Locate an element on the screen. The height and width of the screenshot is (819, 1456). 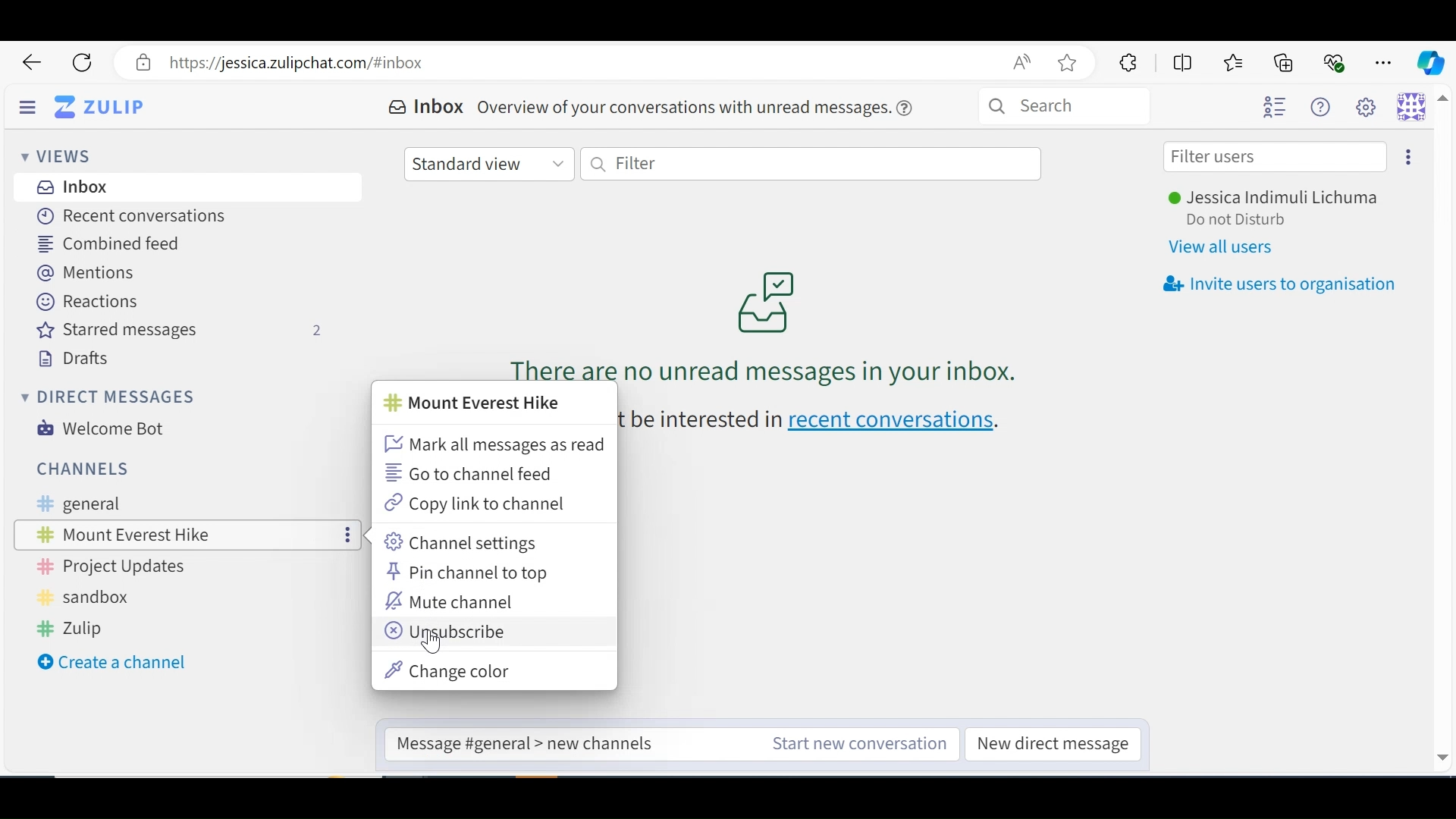
Hide Sidebar is located at coordinates (28, 105).